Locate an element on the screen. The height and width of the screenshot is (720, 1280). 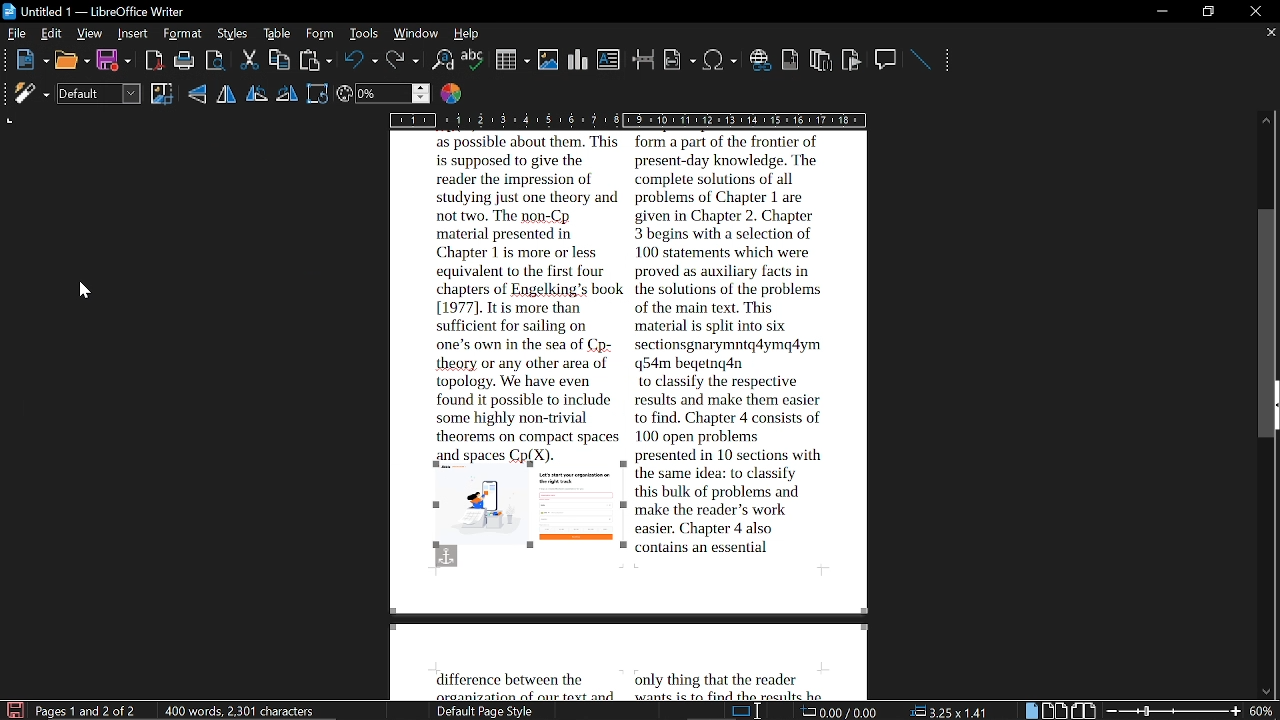
rotate  is located at coordinates (318, 93).